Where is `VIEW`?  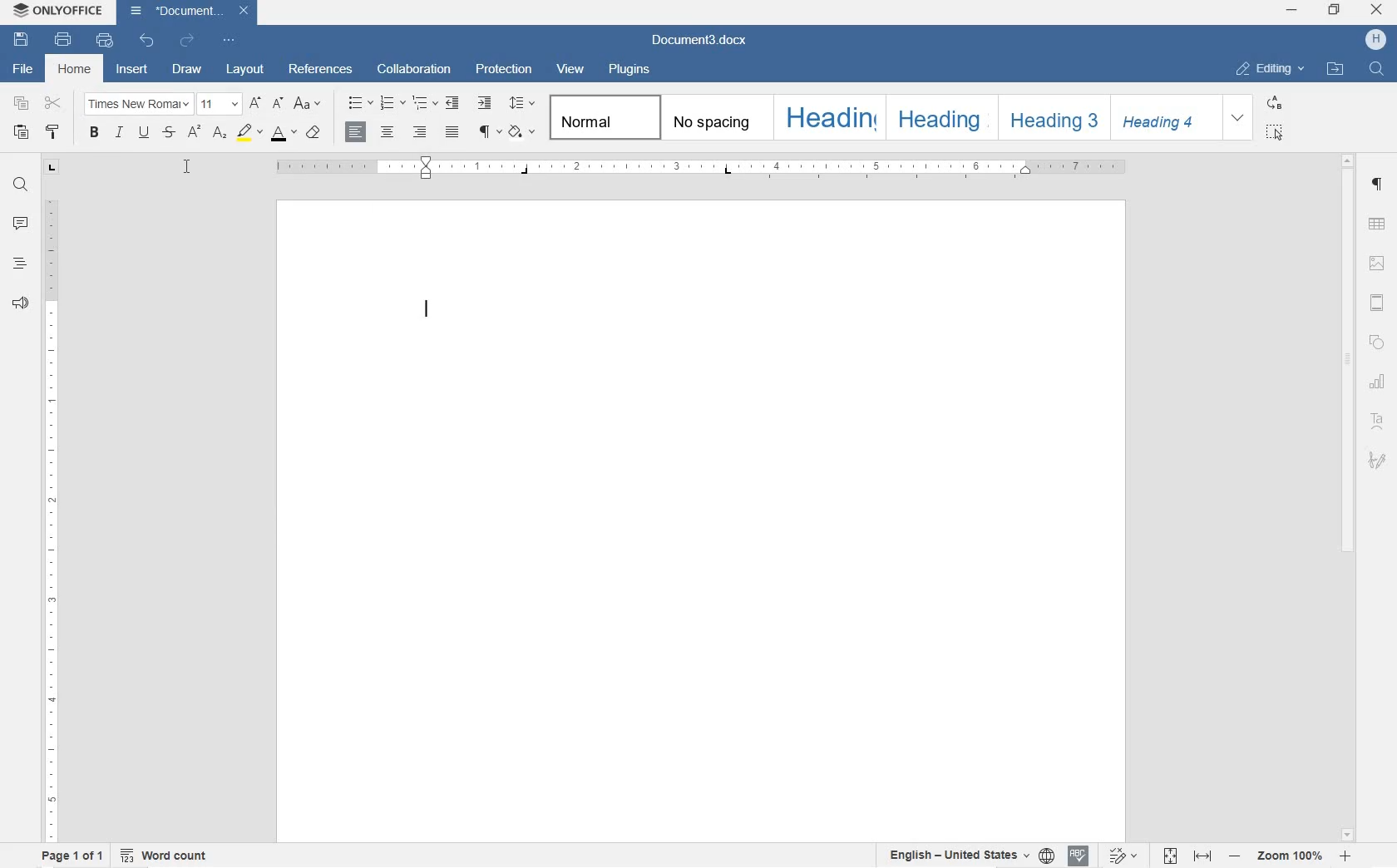
VIEW is located at coordinates (571, 69).